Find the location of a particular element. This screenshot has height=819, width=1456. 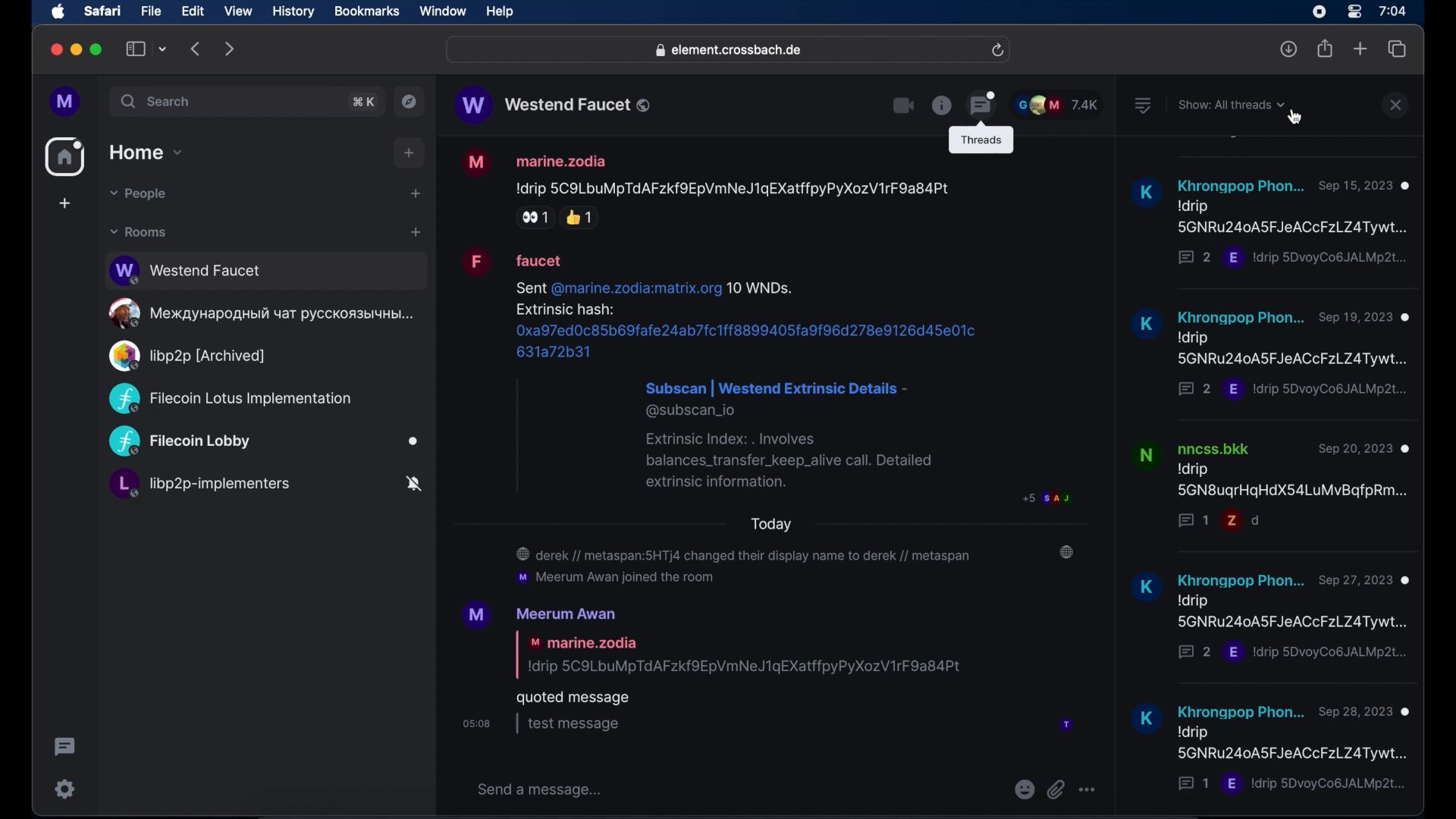

explore public rooms is located at coordinates (410, 102).